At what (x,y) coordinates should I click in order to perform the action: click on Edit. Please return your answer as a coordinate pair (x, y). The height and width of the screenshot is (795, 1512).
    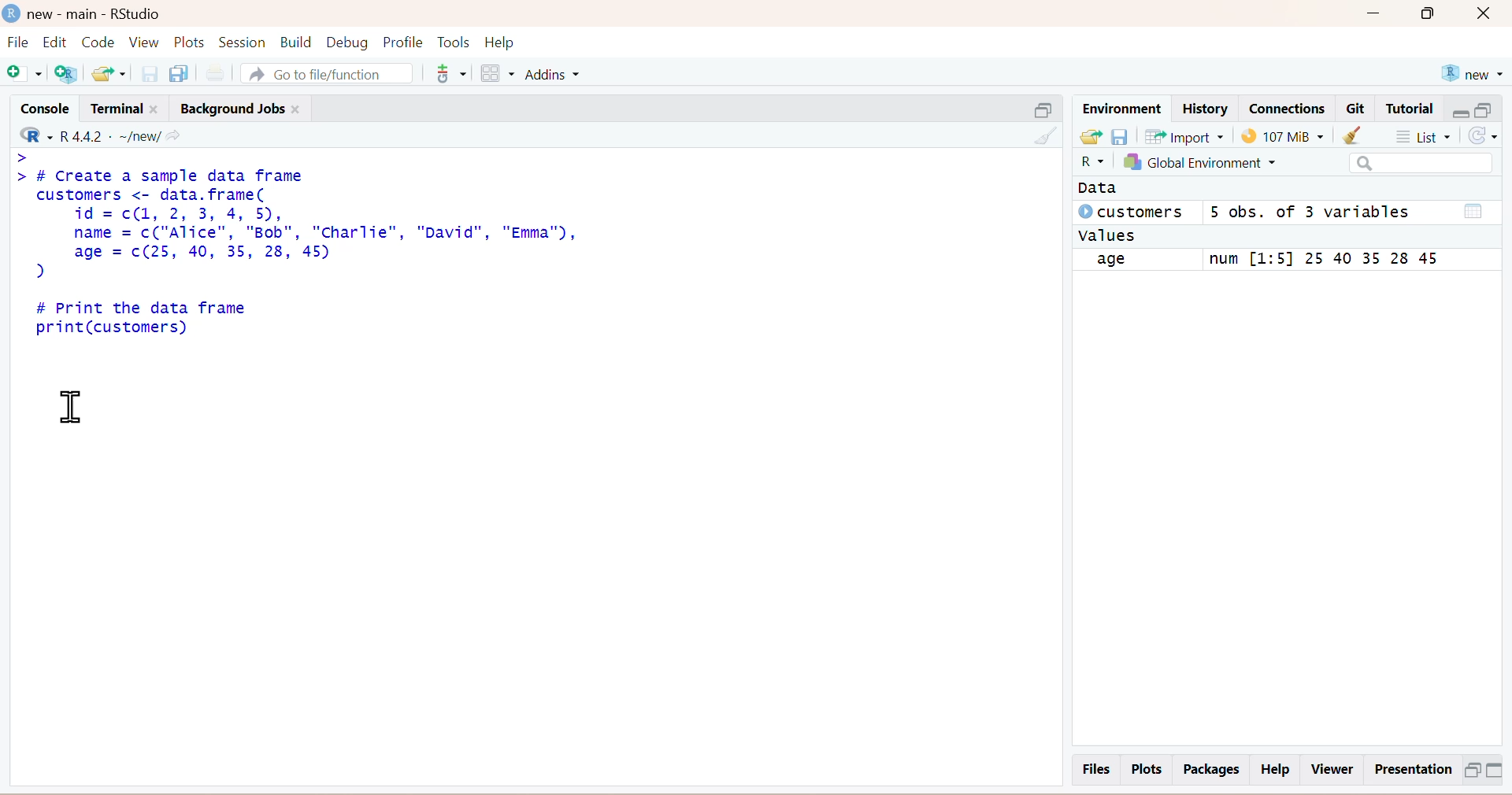
    Looking at the image, I should click on (57, 42).